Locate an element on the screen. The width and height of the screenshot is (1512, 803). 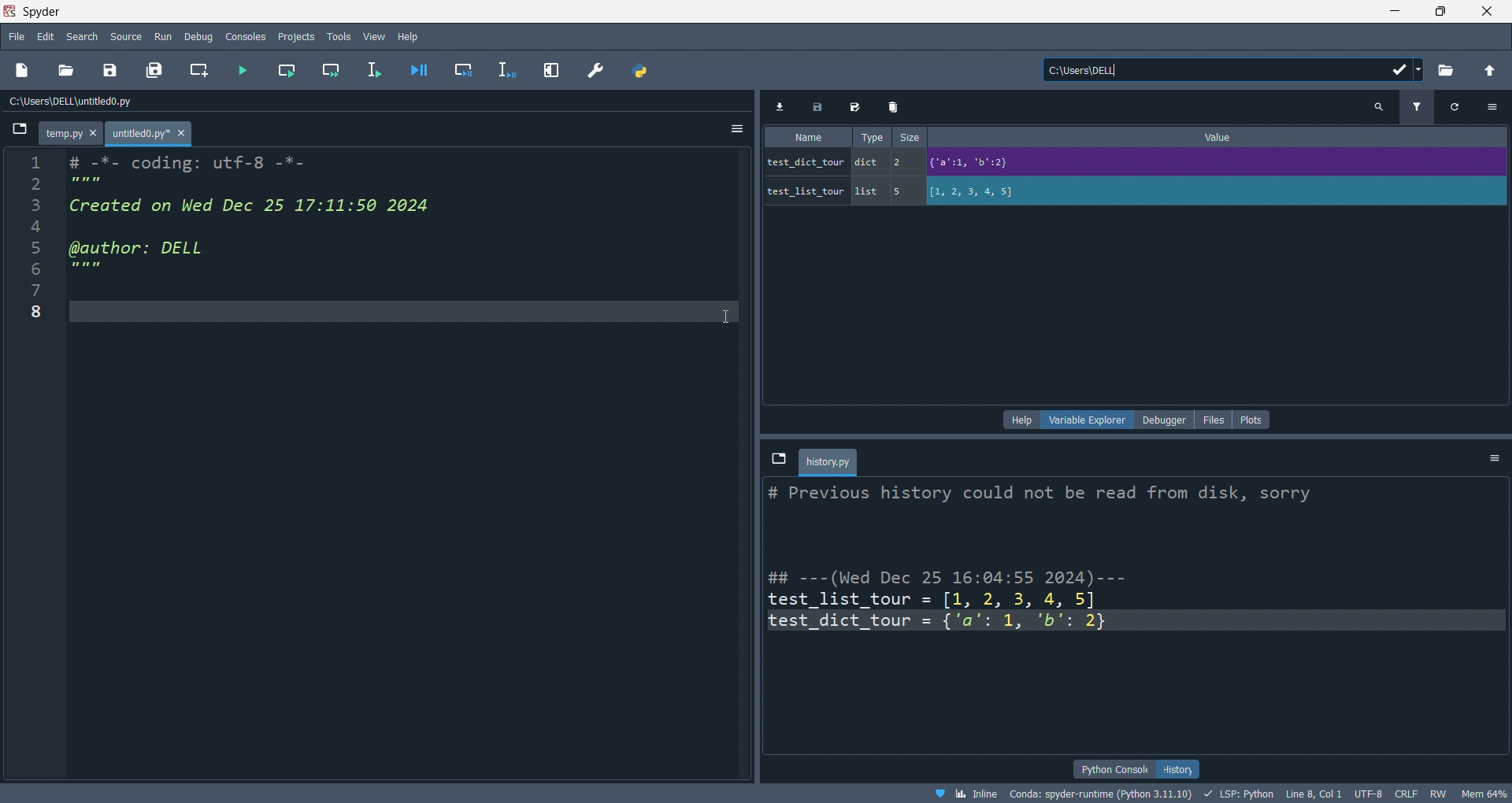
scroll bar is located at coordinates (1495, 612).